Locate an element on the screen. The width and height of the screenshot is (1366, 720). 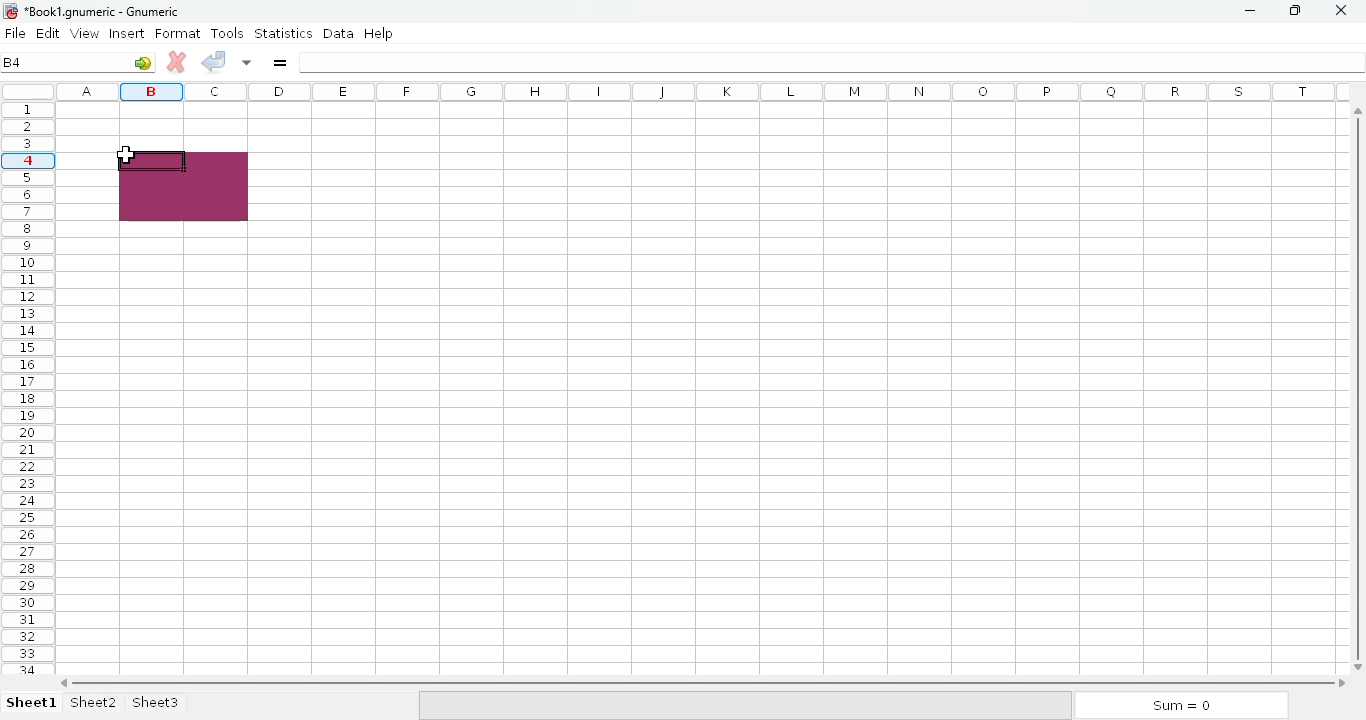
sum = 0 is located at coordinates (1179, 706).